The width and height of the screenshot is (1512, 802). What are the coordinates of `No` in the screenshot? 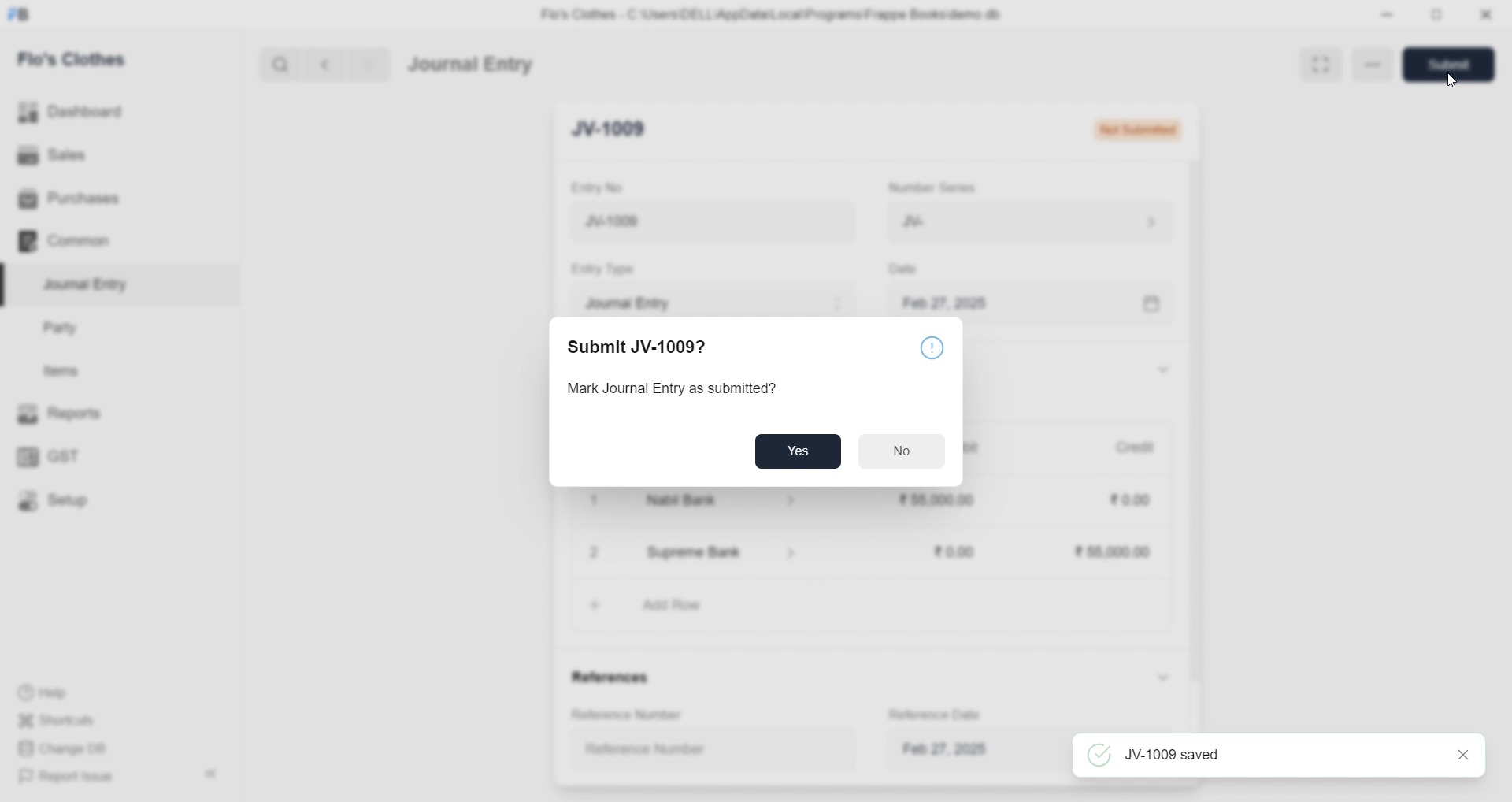 It's located at (903, 451).